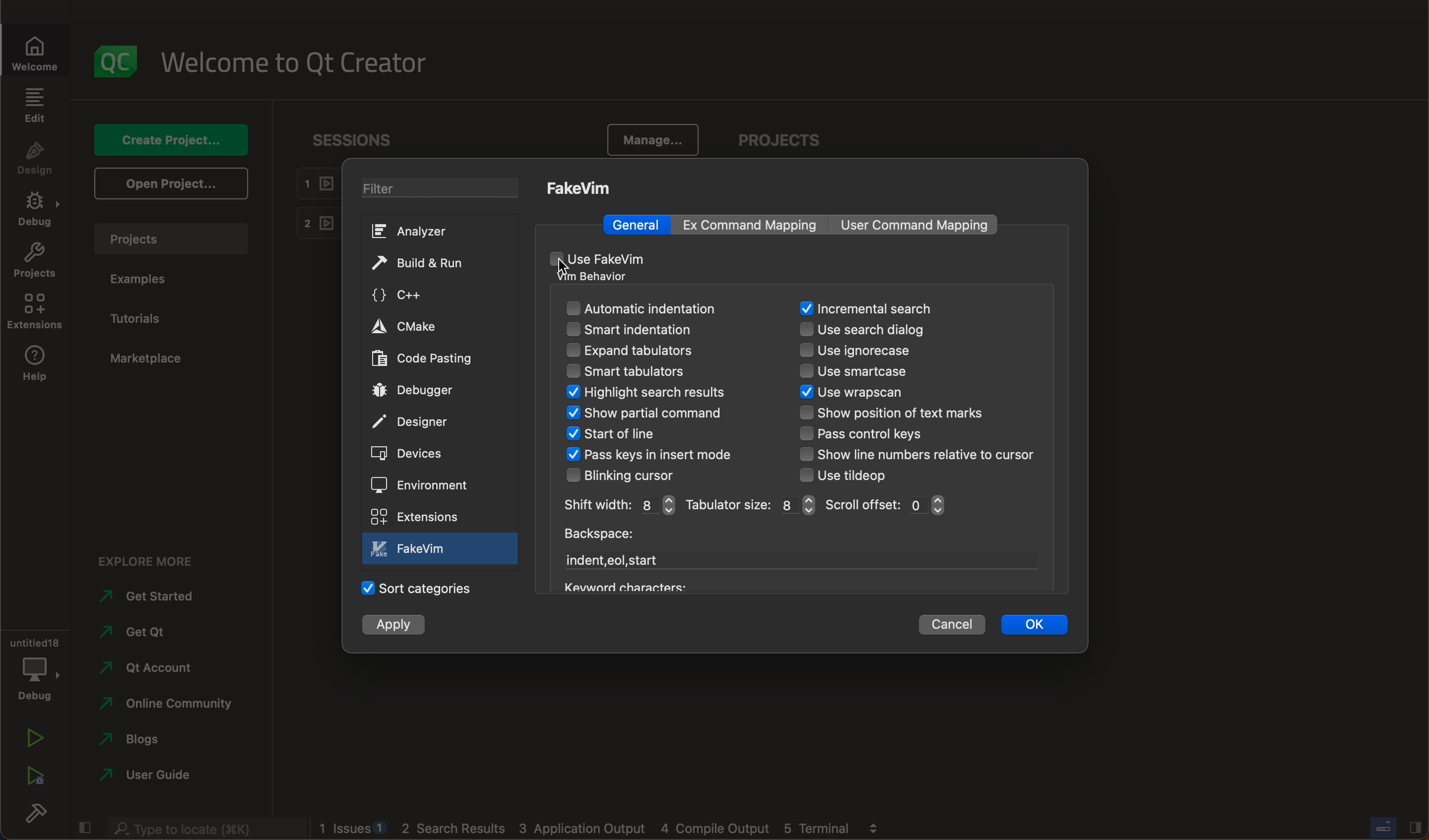 The height and width of the screenshot is (840, 1429). What do you see at coordinates (160, 596) in the screenshot?
I see `started` at bounding box center [160, 596].